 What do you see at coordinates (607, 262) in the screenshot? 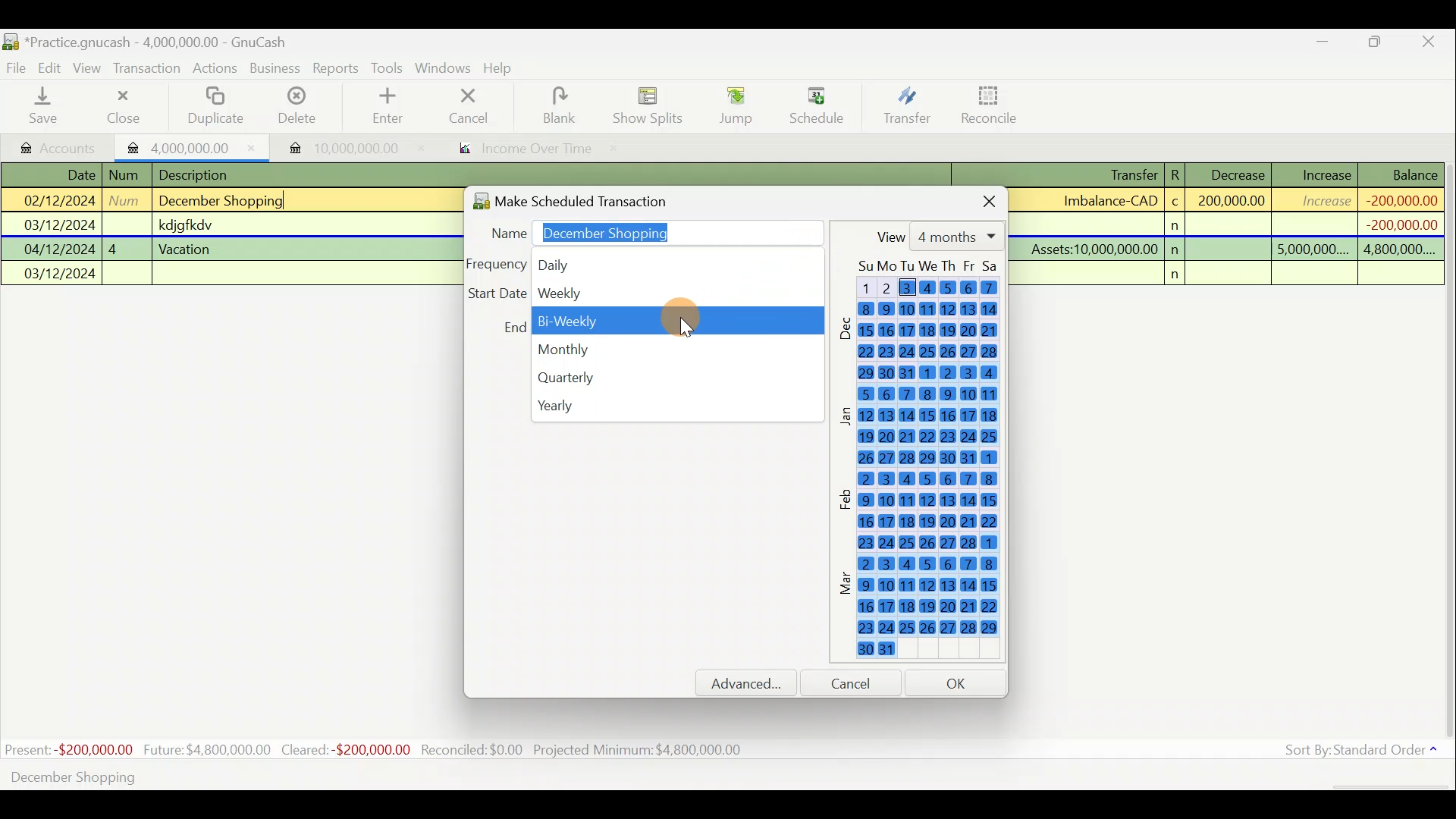
I see `Daily` at bounding box center [607, 262].